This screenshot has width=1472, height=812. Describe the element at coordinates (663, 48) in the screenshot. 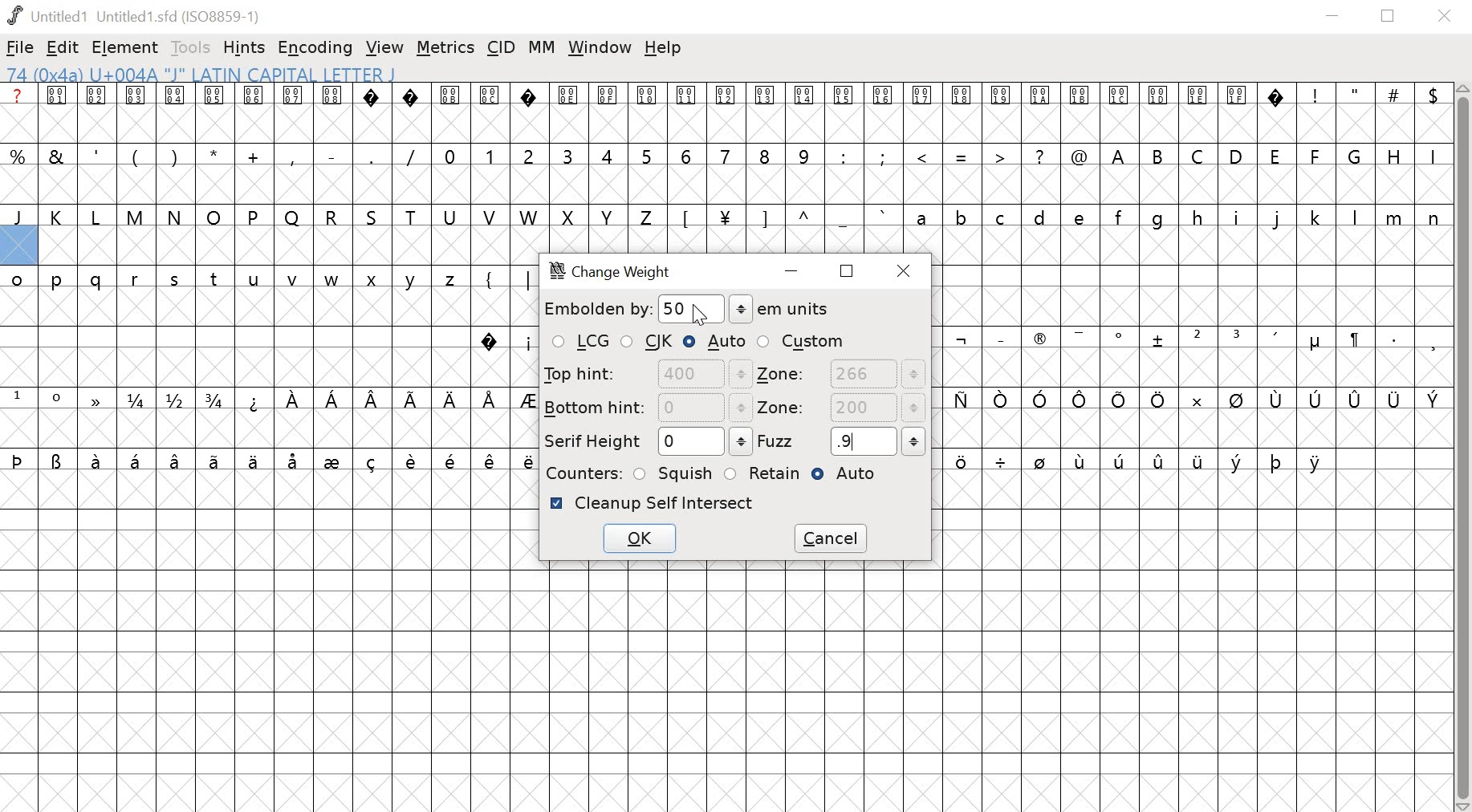

I see `help` at that location.